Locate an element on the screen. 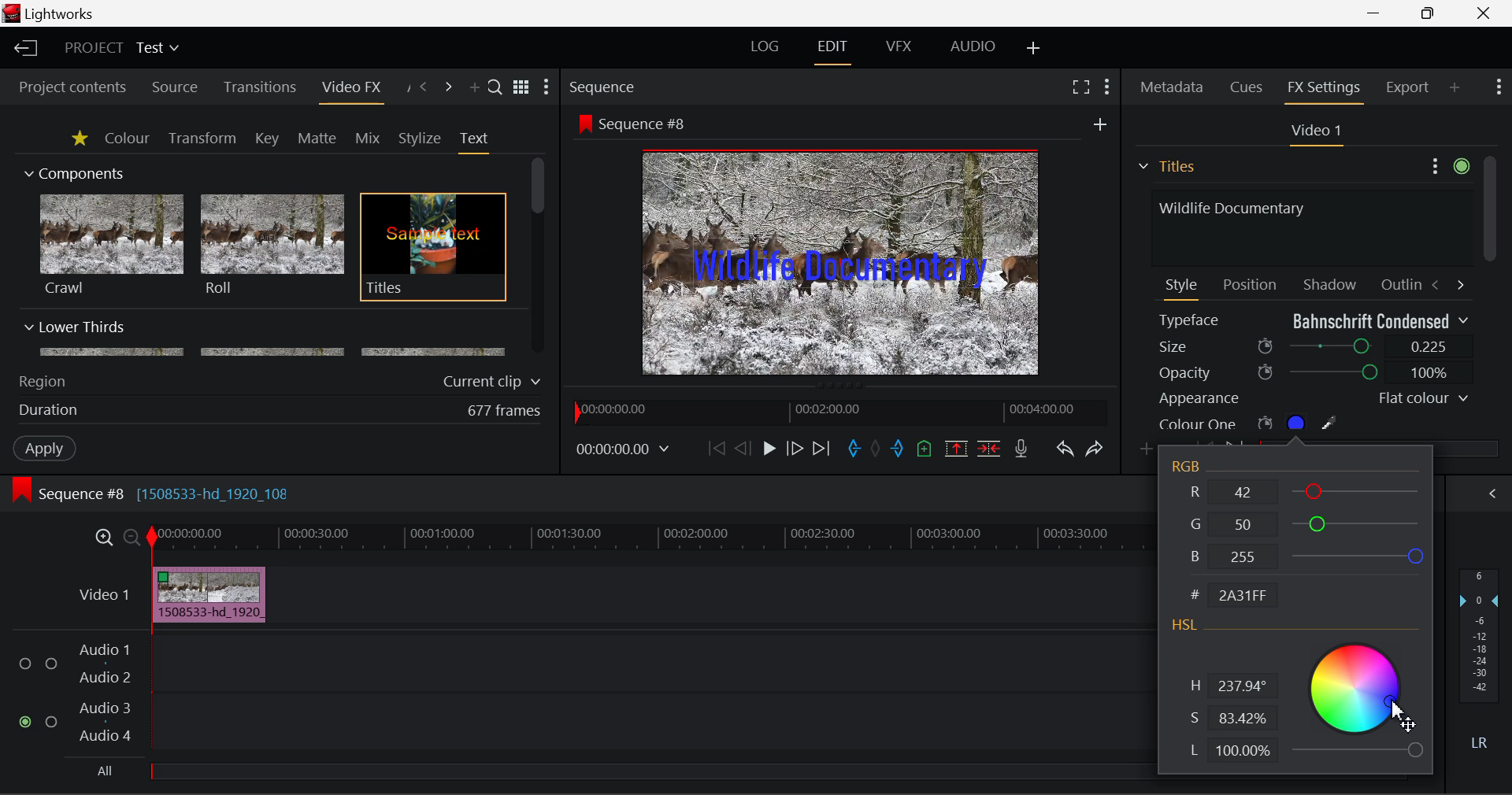 Image resolution: width=1512 pixels, height=795 pixels. Sequence #8 is located at coordinates (649, 124).